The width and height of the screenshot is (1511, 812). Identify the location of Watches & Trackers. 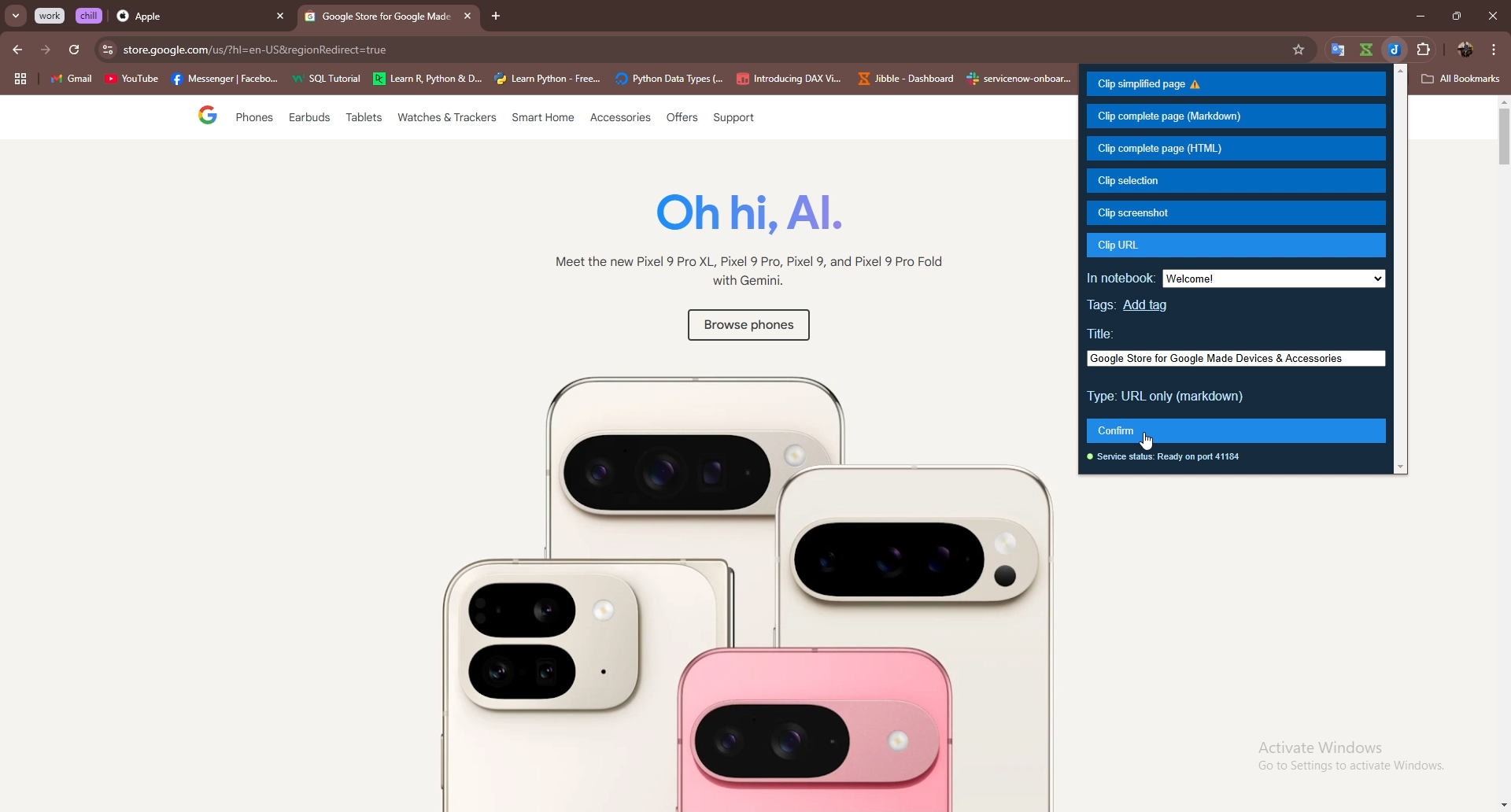
(449, 119).